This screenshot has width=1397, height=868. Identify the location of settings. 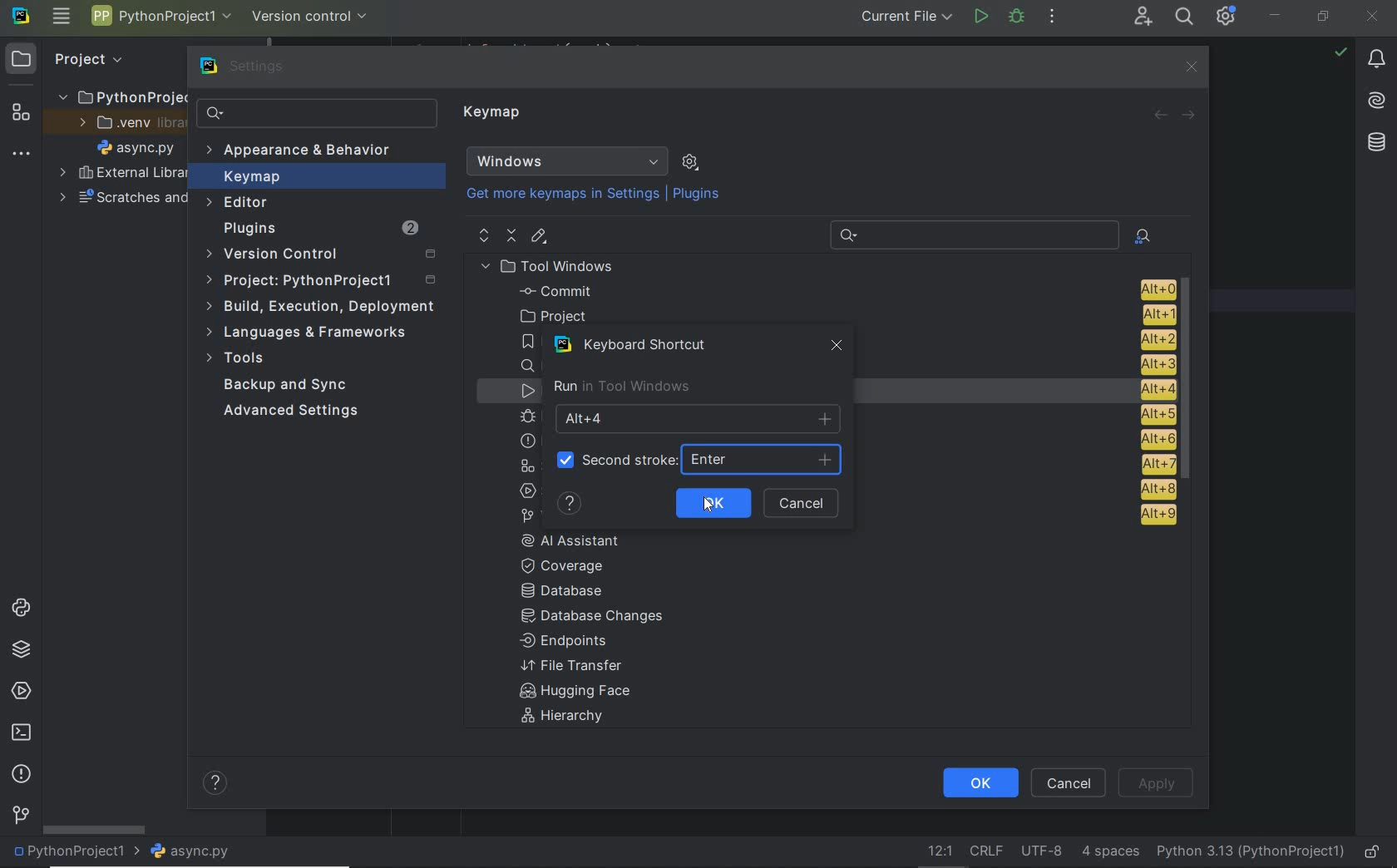
(245, 67).